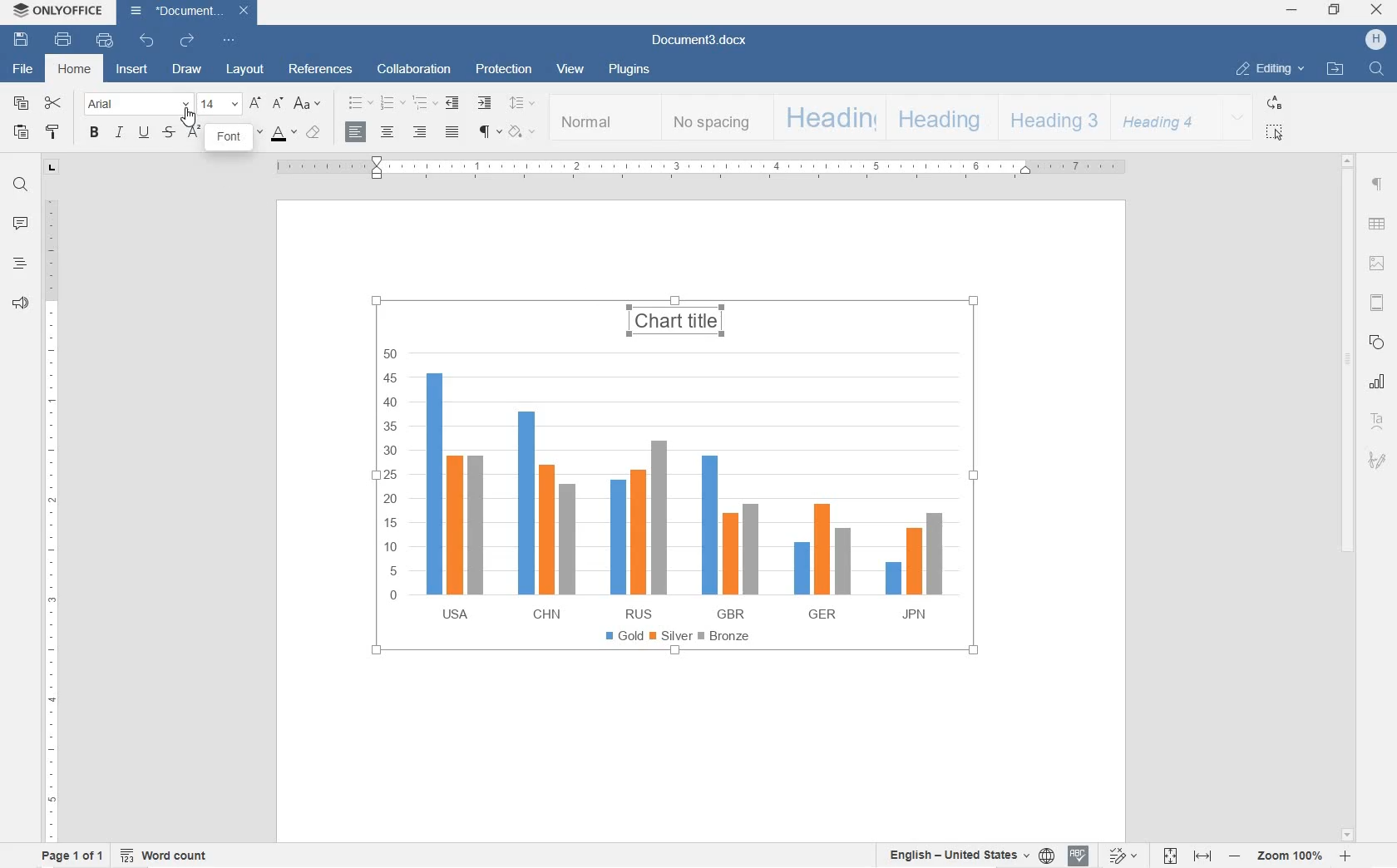 Image resolution: width=1397 pixels, height=868 pixels. What do you see at coordinates (245, 69) in the screenshot?
I see `LAYOUT` at bounding box center [245, 69].